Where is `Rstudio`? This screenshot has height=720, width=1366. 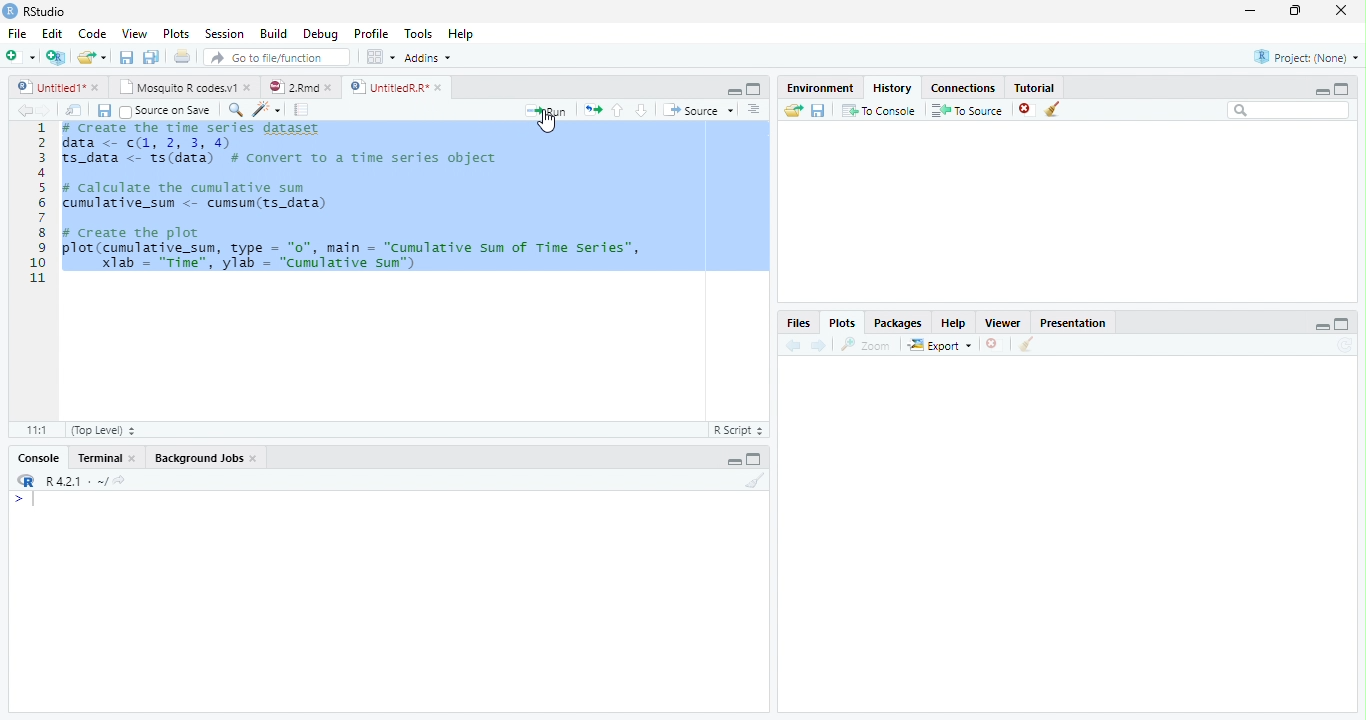 Rstudio is located at coordinates (36, 10).